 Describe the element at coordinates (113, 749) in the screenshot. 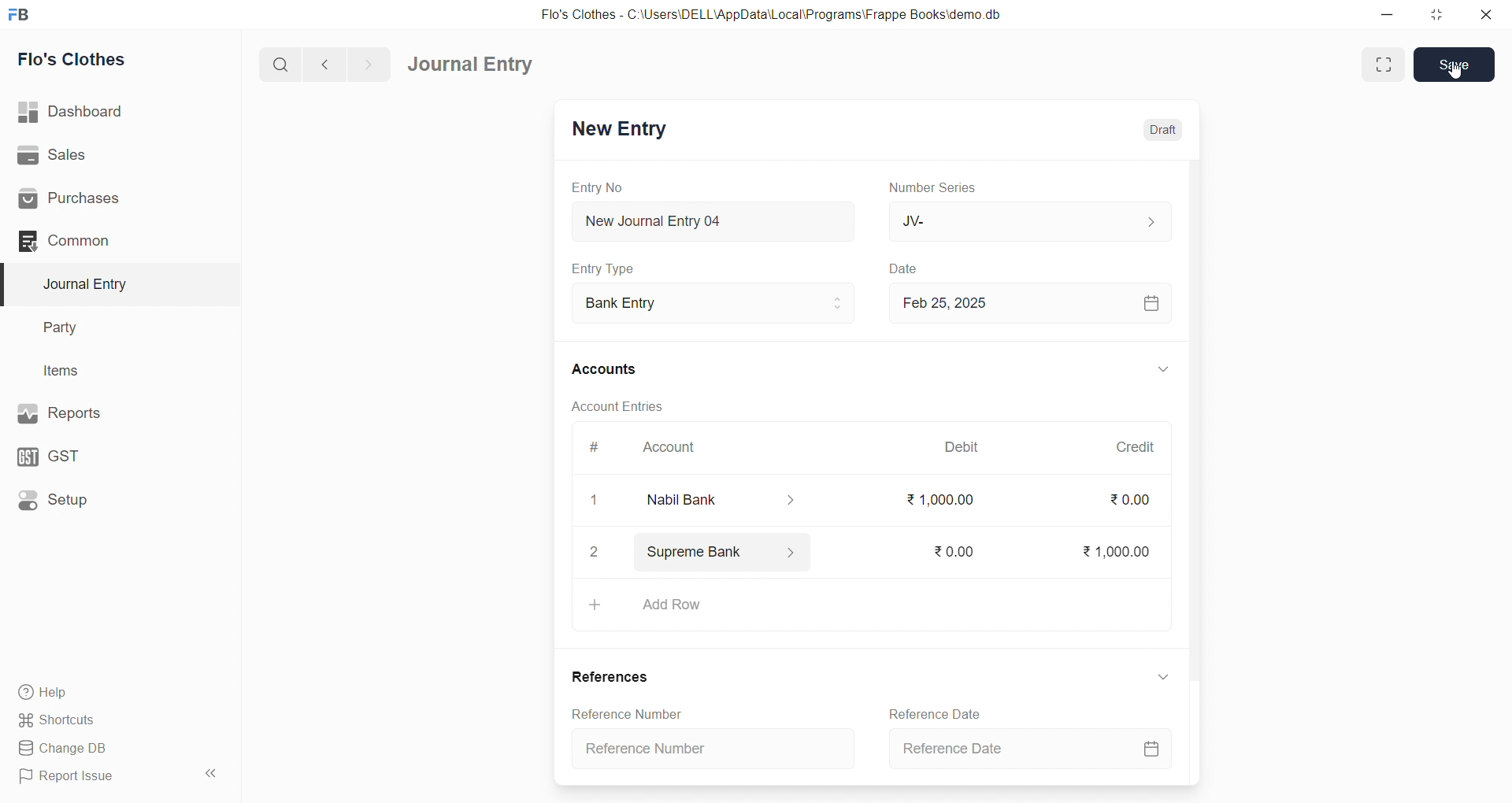

I see `Change DB` at that location.